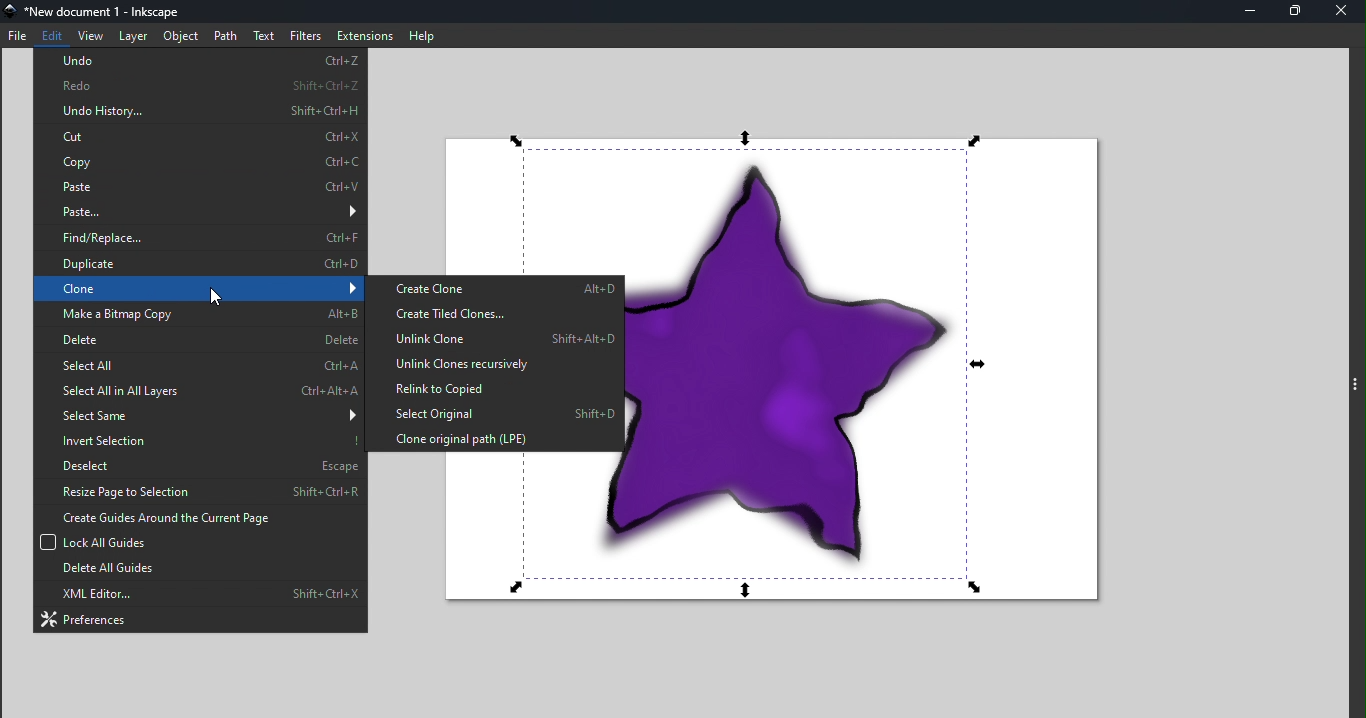 The image size is (1366, 718). I want to click on redo, so click(201, 83).